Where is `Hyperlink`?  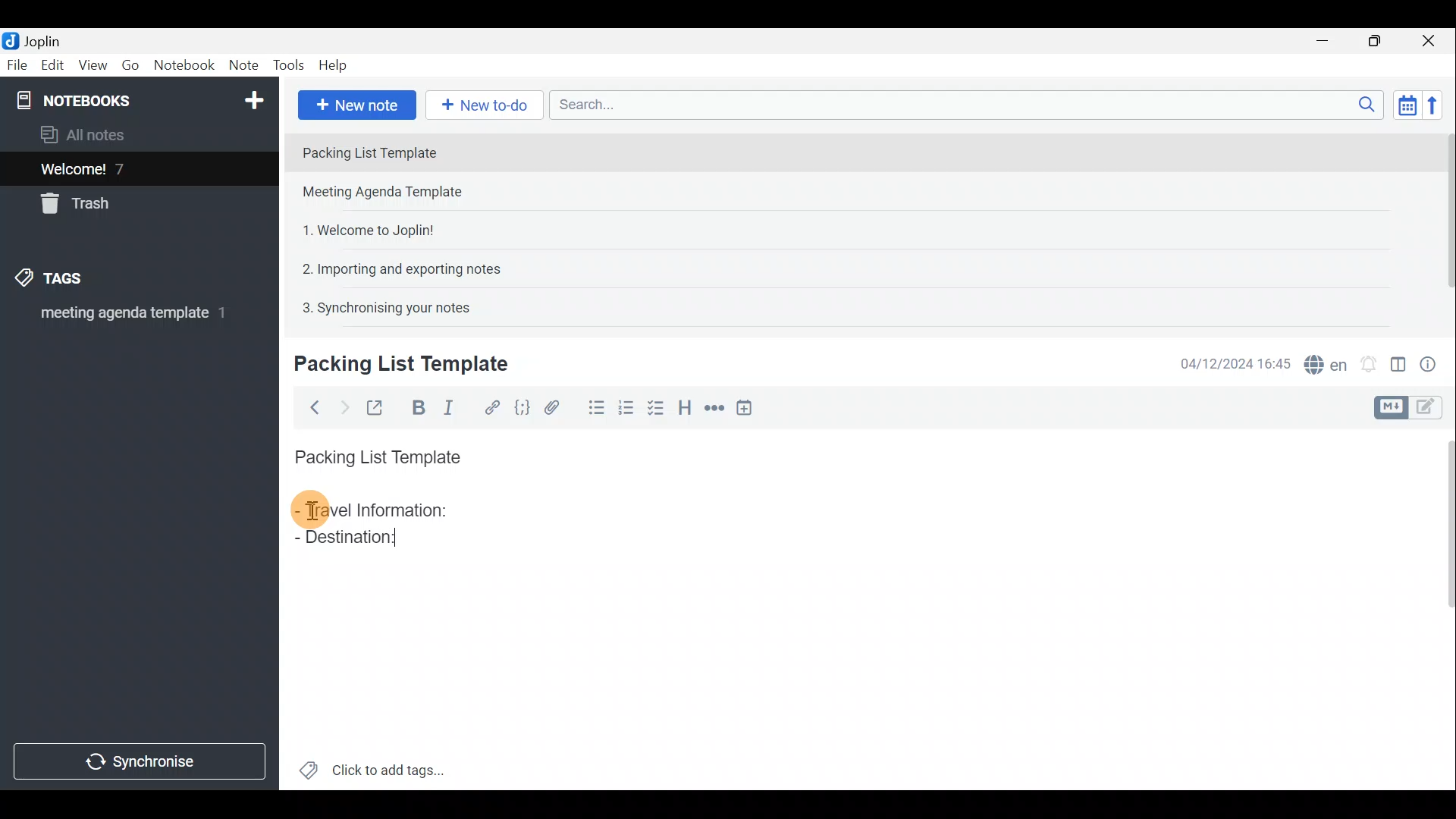
Hyperlink is located at coordinates (489, 406).